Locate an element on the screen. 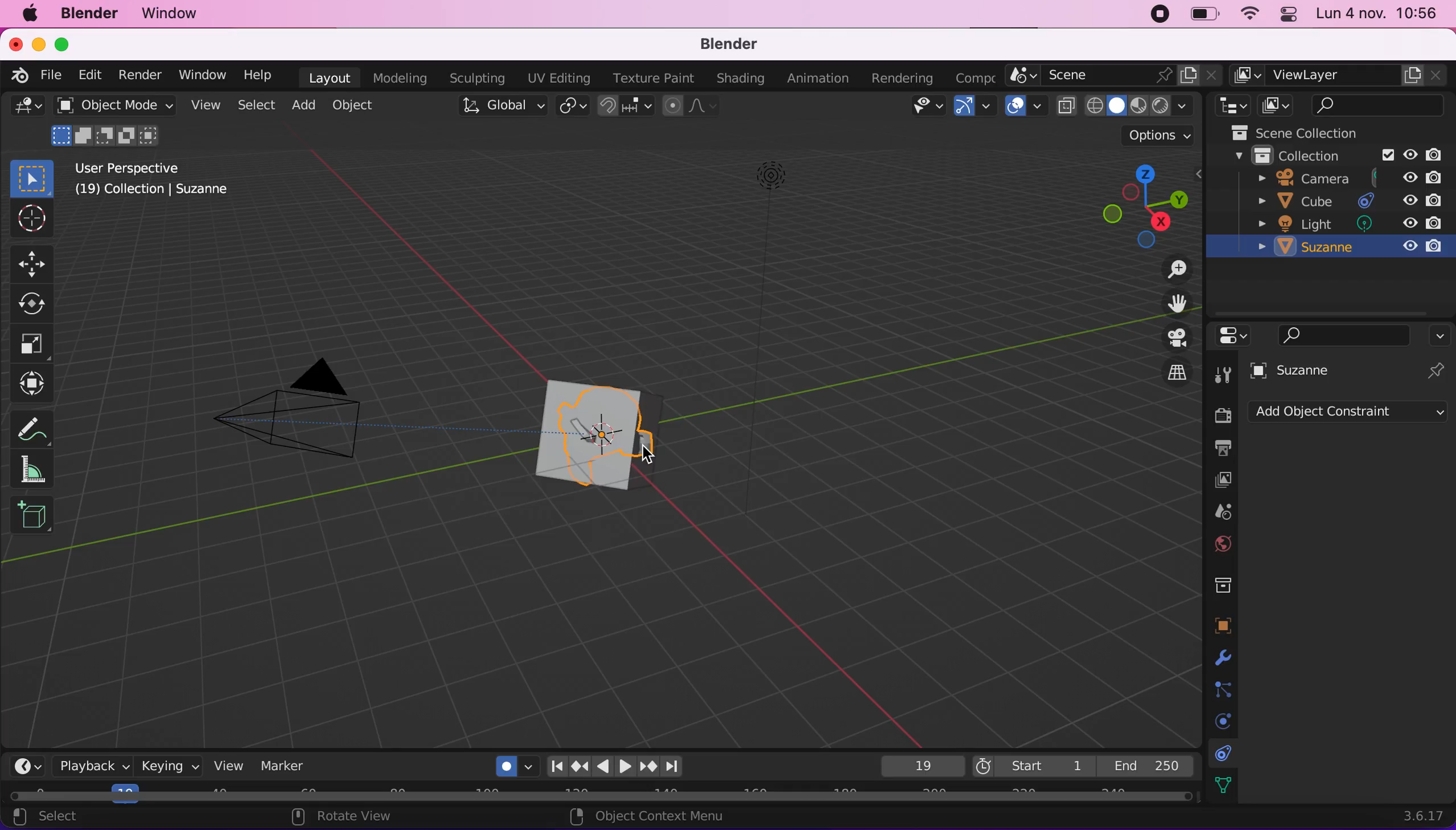  wifi is located at coordinates (1250, 15).